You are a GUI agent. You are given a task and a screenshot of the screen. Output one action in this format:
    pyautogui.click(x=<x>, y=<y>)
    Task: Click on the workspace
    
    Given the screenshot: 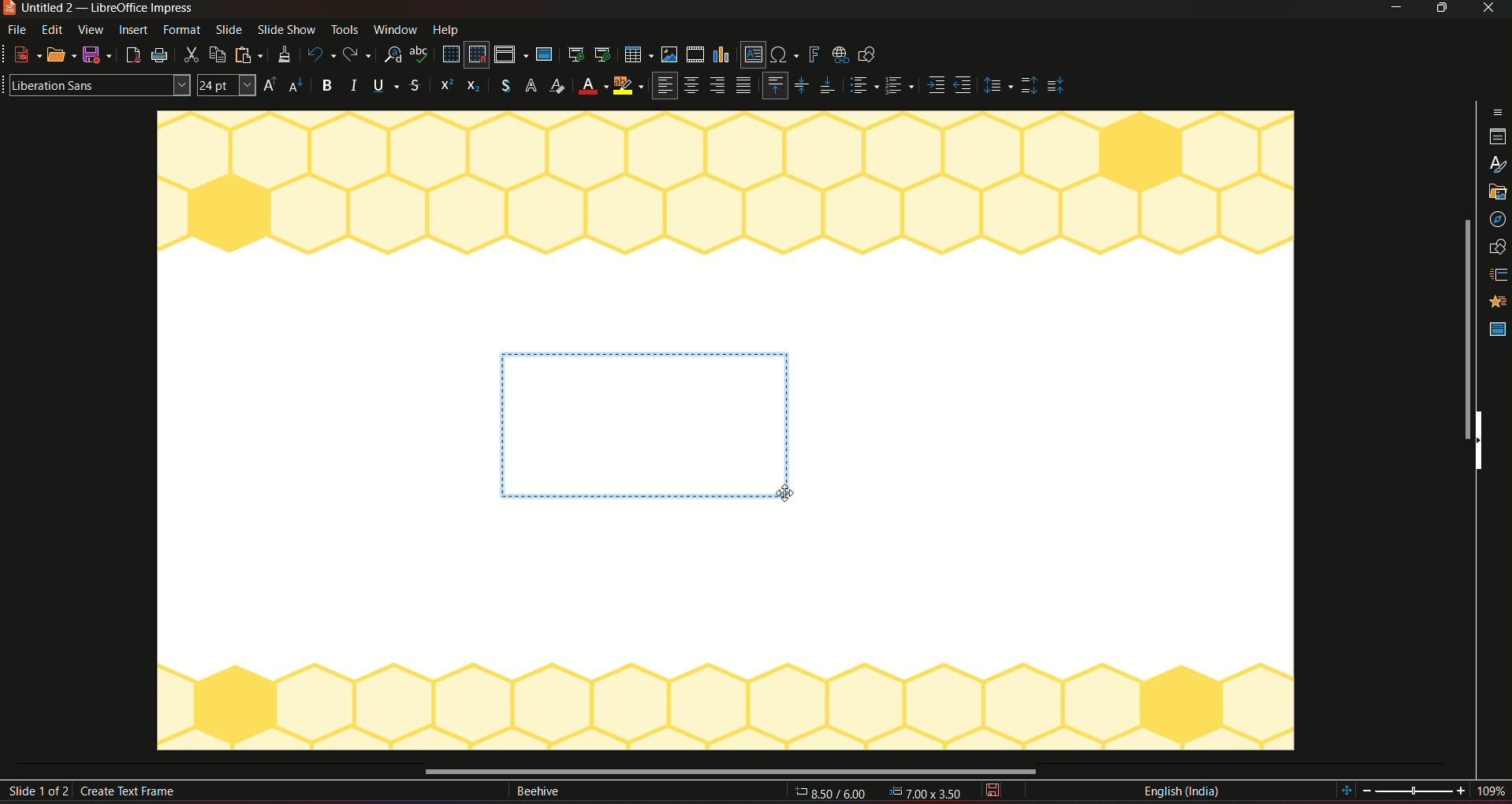 What is the action you would take?
    pyautogui.click(x=725, y=643)
    